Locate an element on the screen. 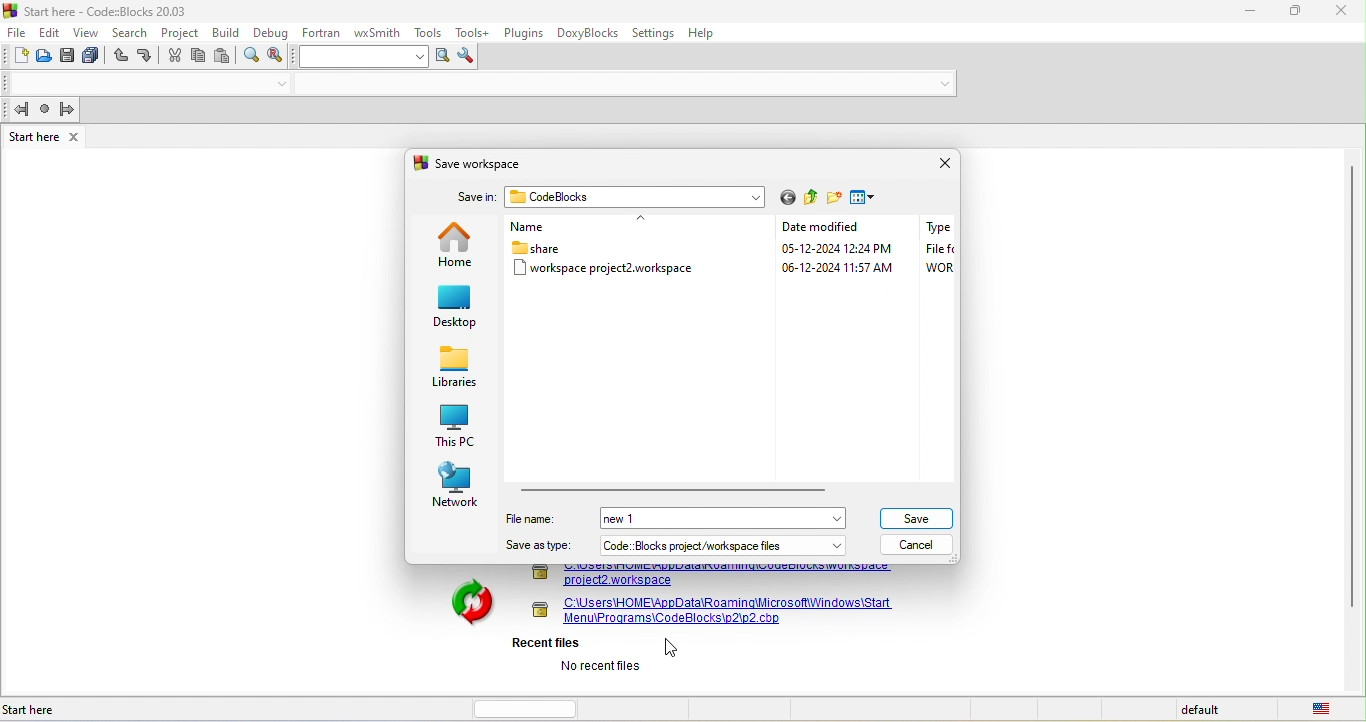 Image resolution: width=1366 pixels, height=722 pixels. wxsmith is located at coordinates (379, 30).